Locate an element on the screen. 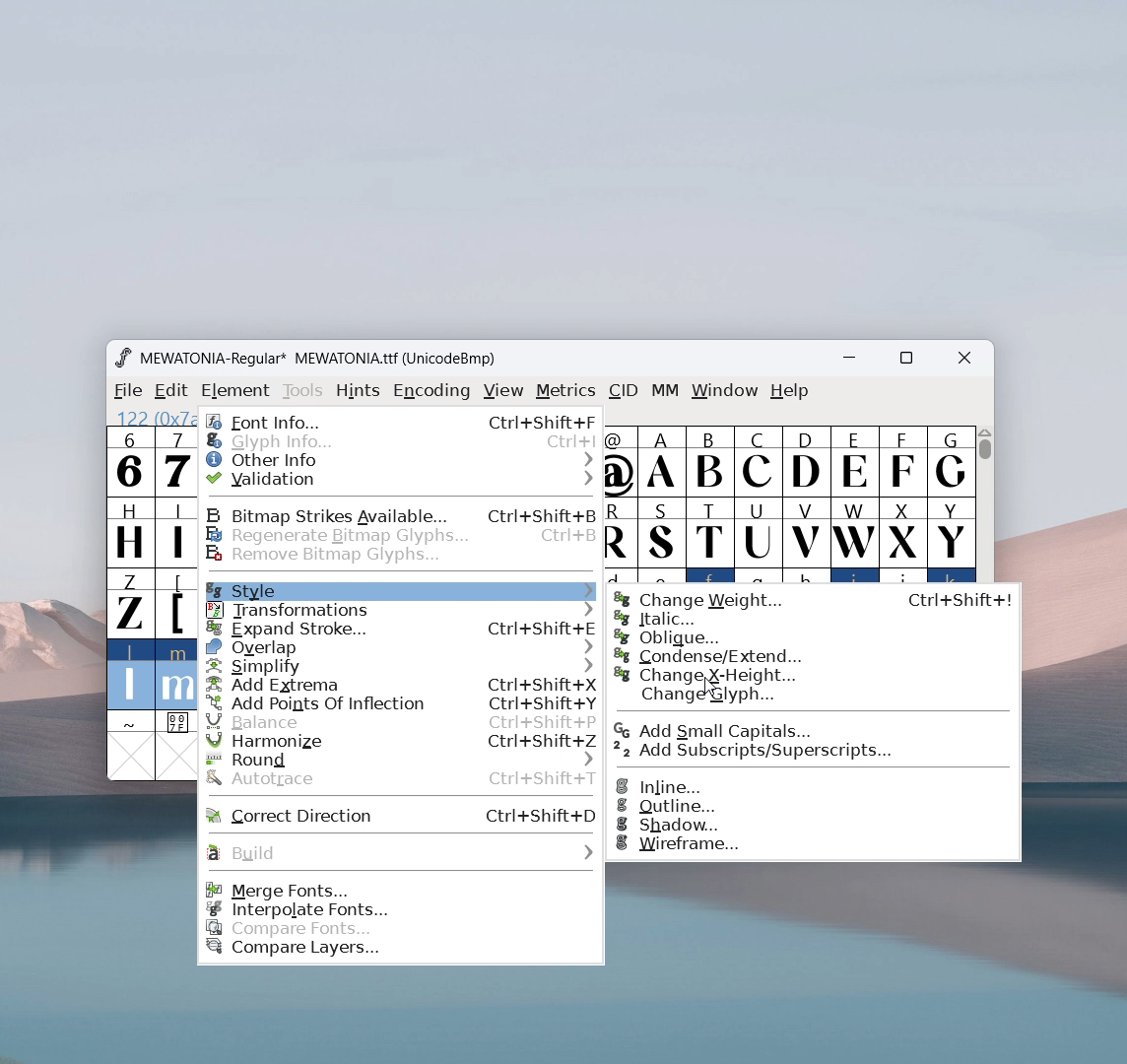 The image size is (1127, 1064). U is located at coordinates (759, 531).